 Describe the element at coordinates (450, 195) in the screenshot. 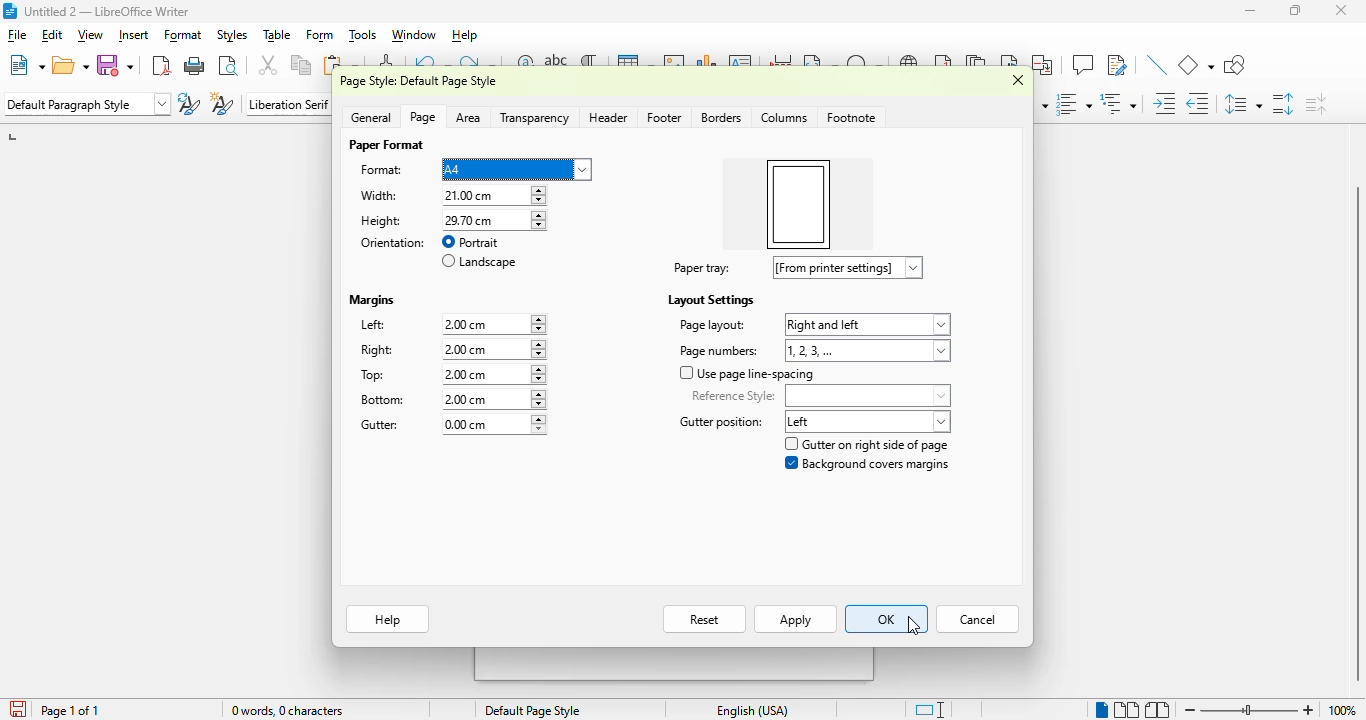

I see `width: 10.50 cm` at that location.